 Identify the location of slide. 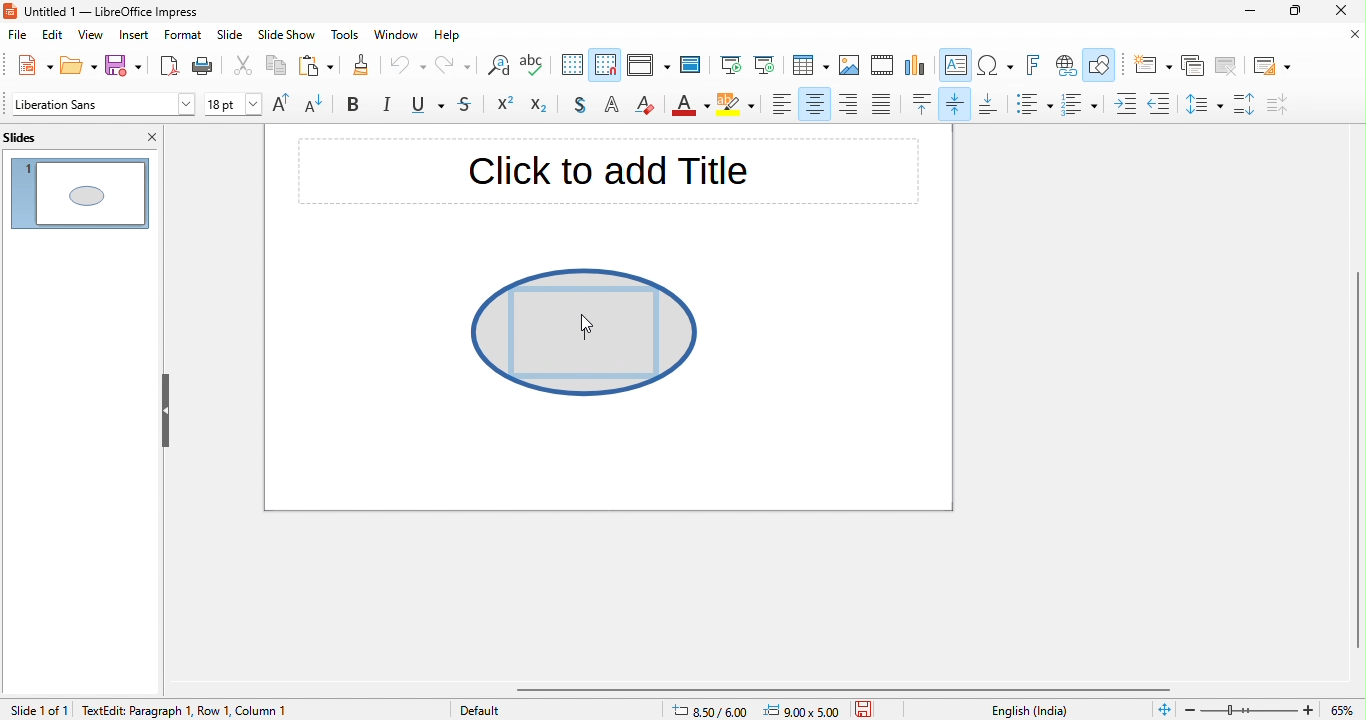
(230, 37).